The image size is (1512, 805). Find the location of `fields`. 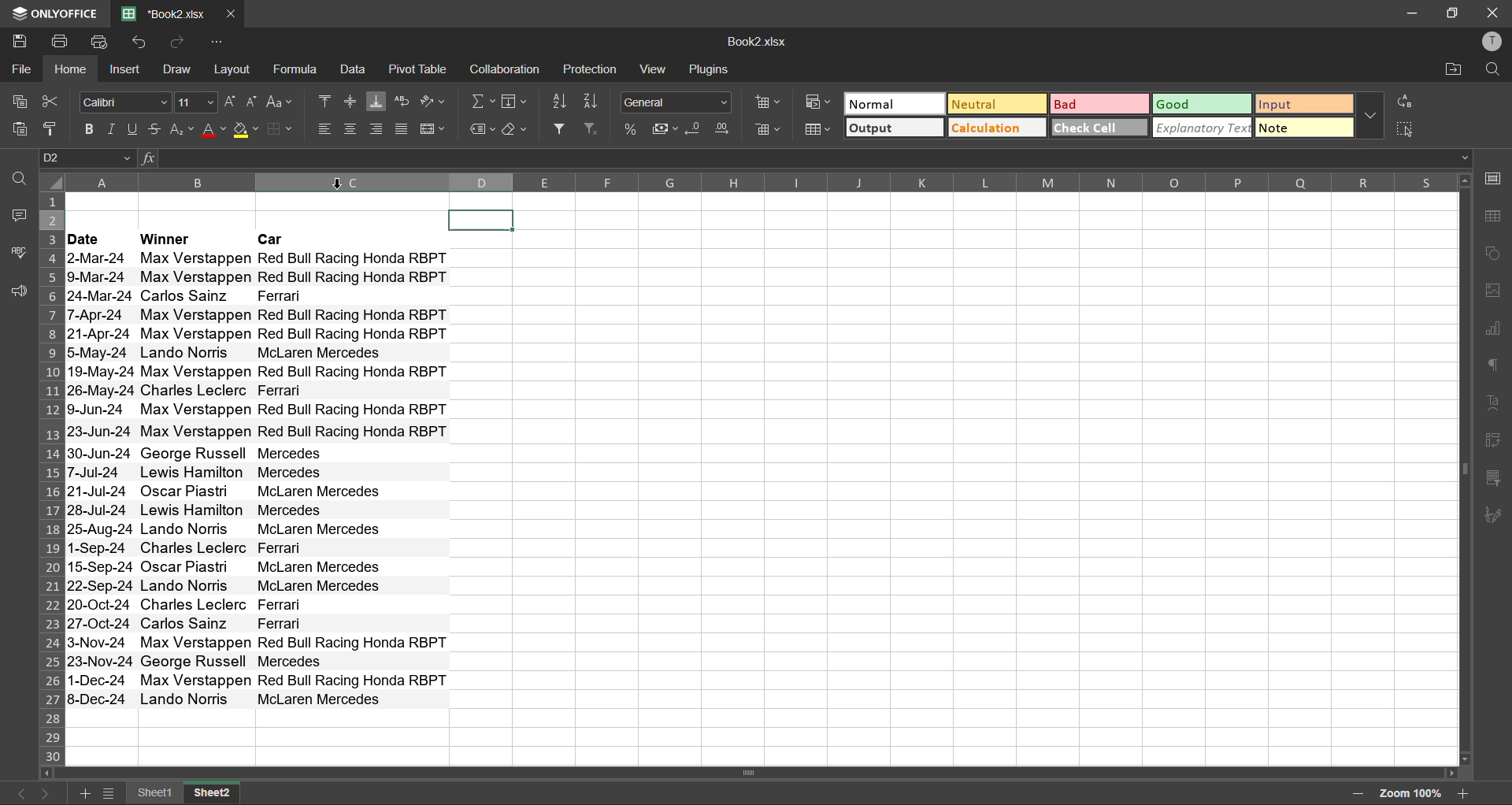

fields is located at coordinates (514, 102).